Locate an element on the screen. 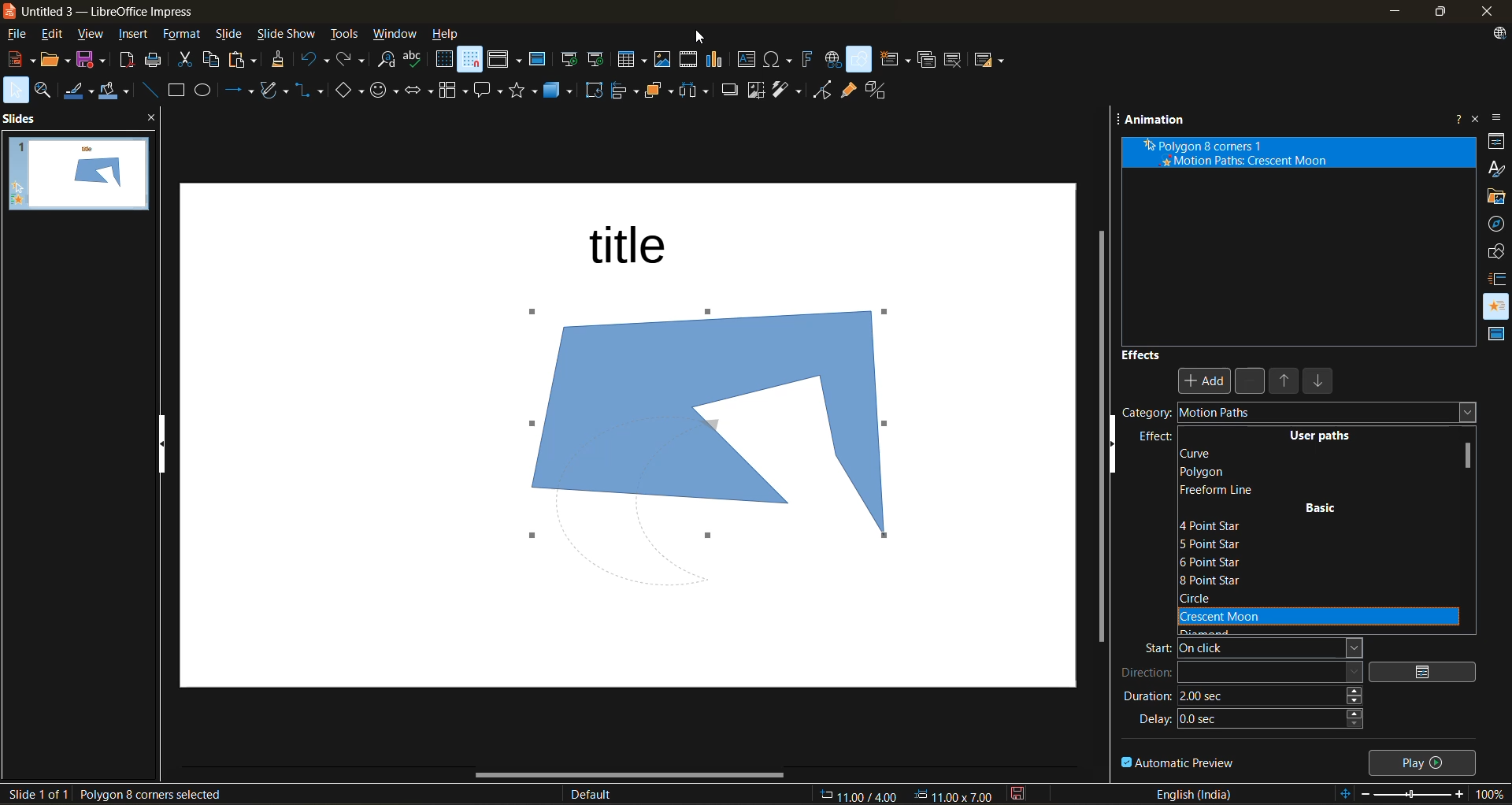  master slide is located at coordinates (537, 58).